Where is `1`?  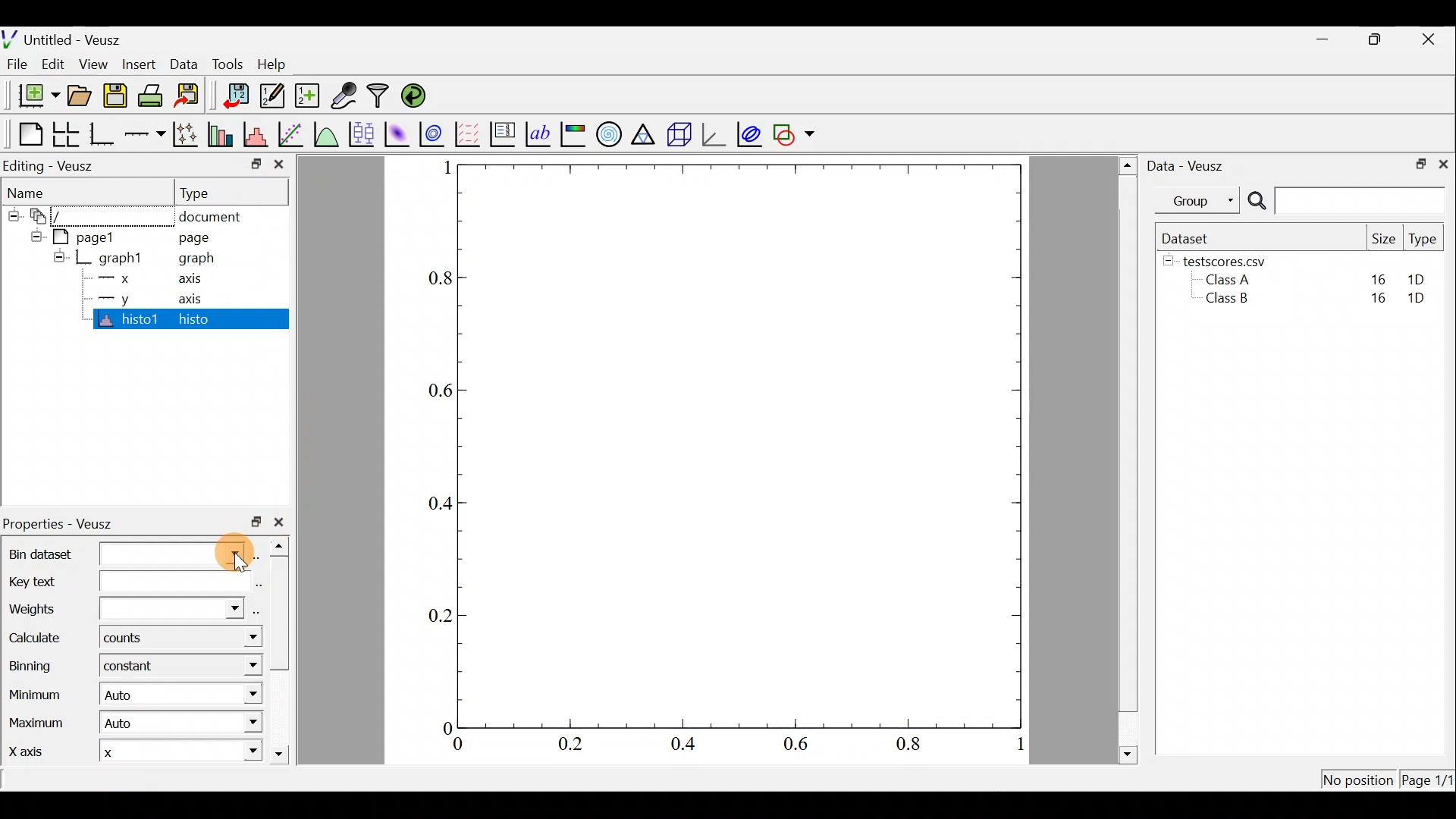 1 is located at coordinates (1016, 745).